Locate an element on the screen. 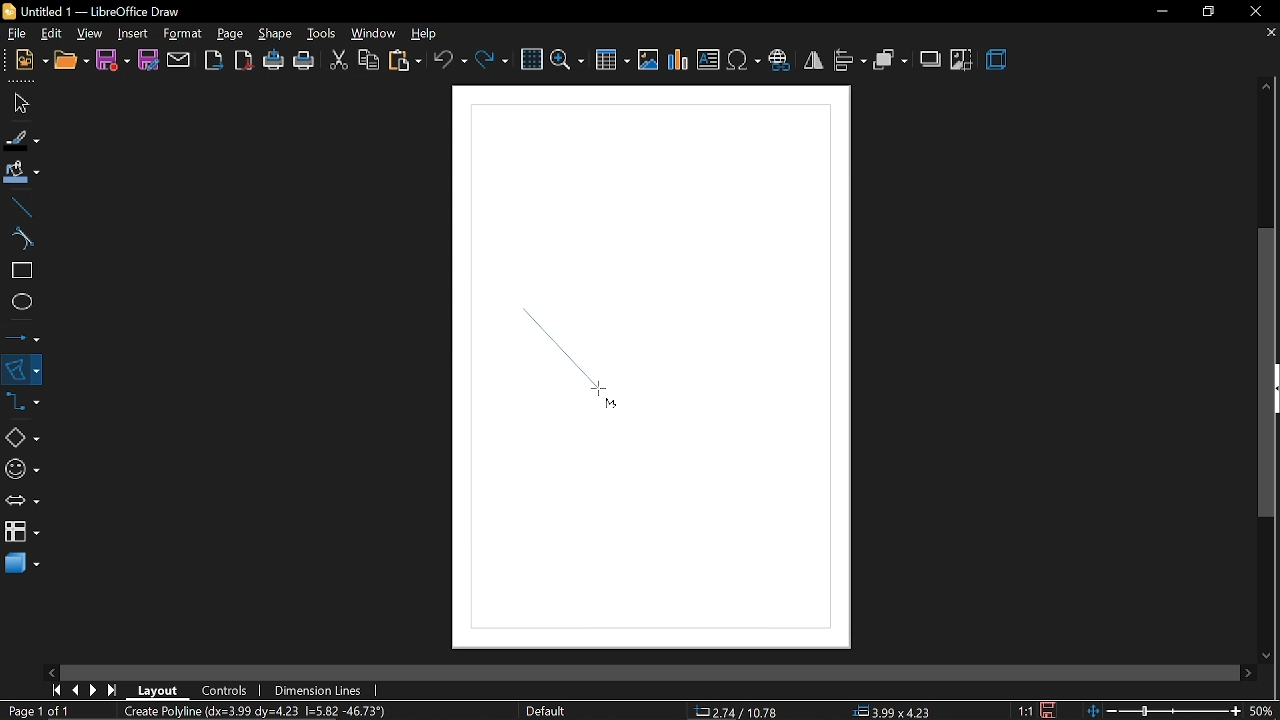 The width and height of the screenshot is (1280, 720). zoom is located at coordinates (569, 58).